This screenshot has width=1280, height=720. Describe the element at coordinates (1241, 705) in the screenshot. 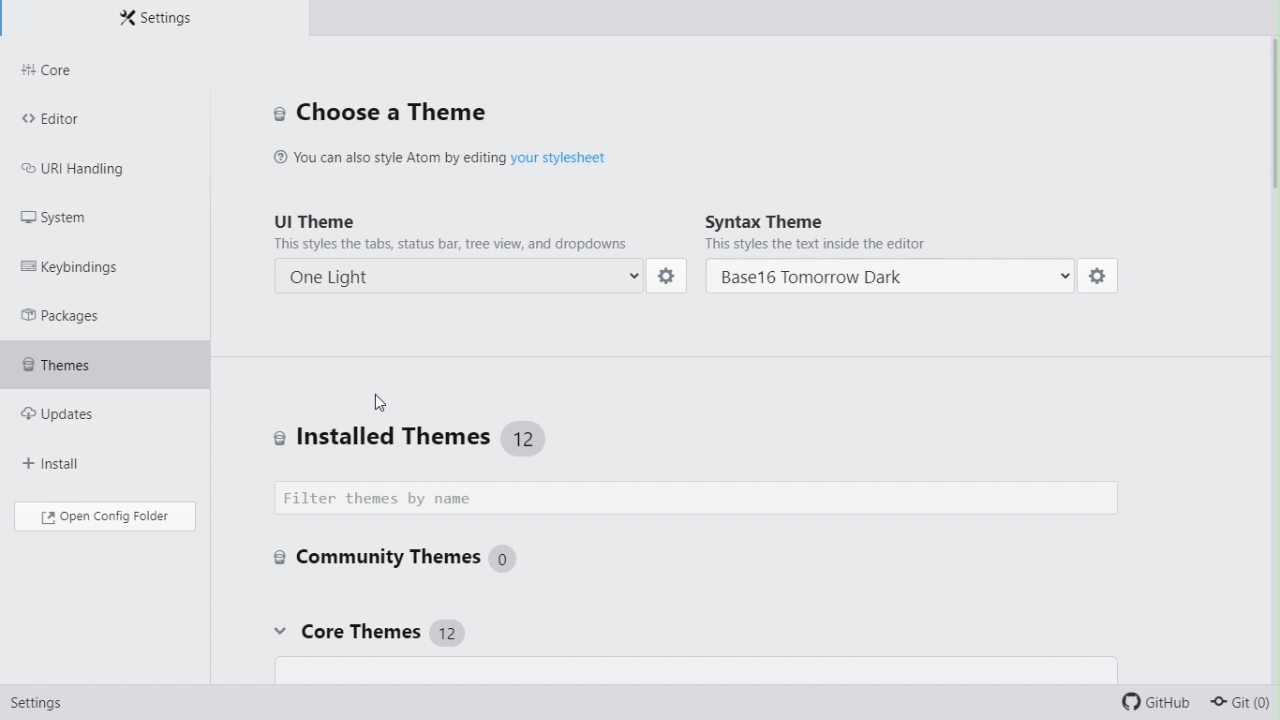

I see `git(0)` at that location.